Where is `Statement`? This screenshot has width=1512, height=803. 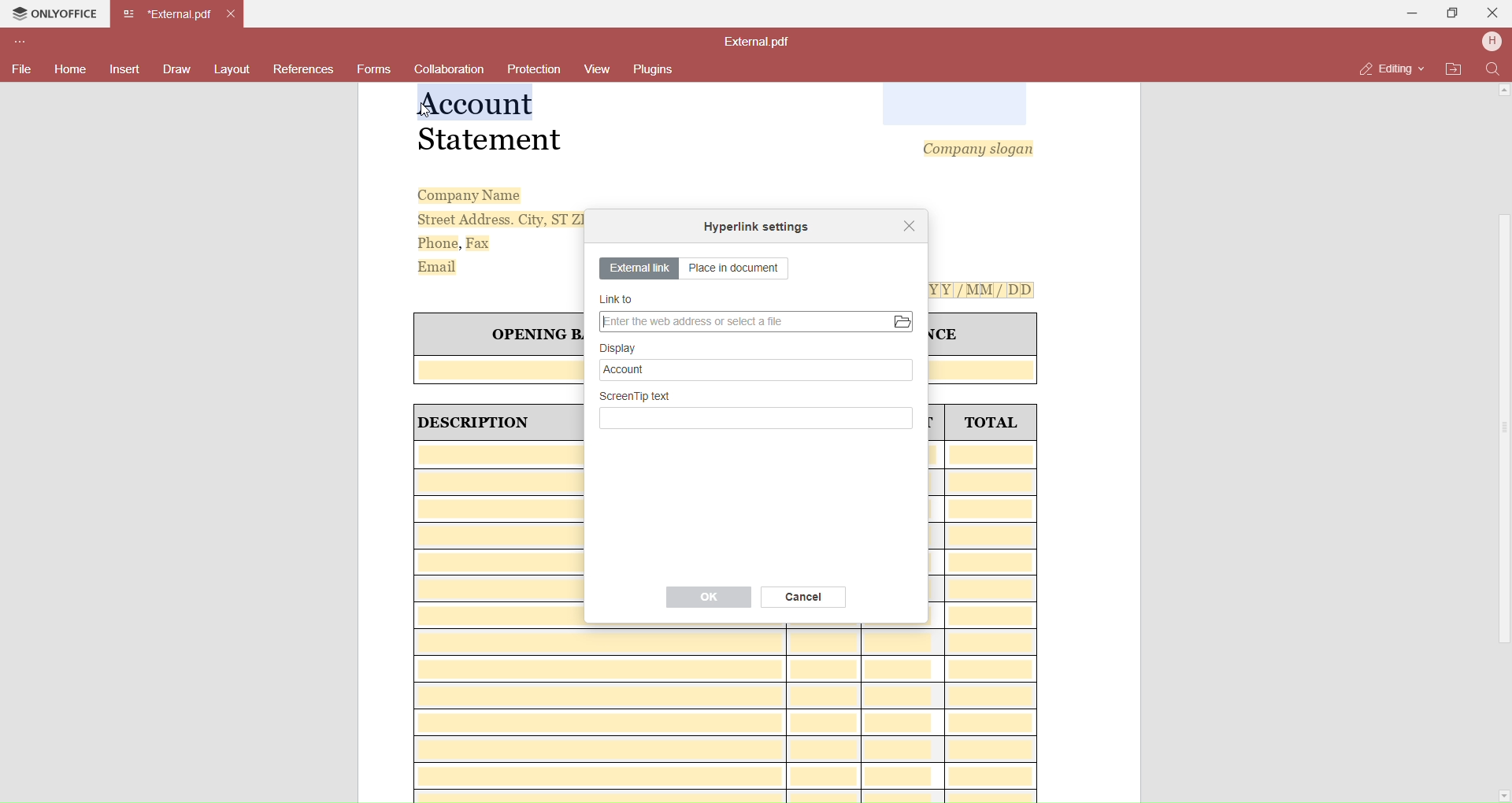
Statement is located at coordinates (491, 142).